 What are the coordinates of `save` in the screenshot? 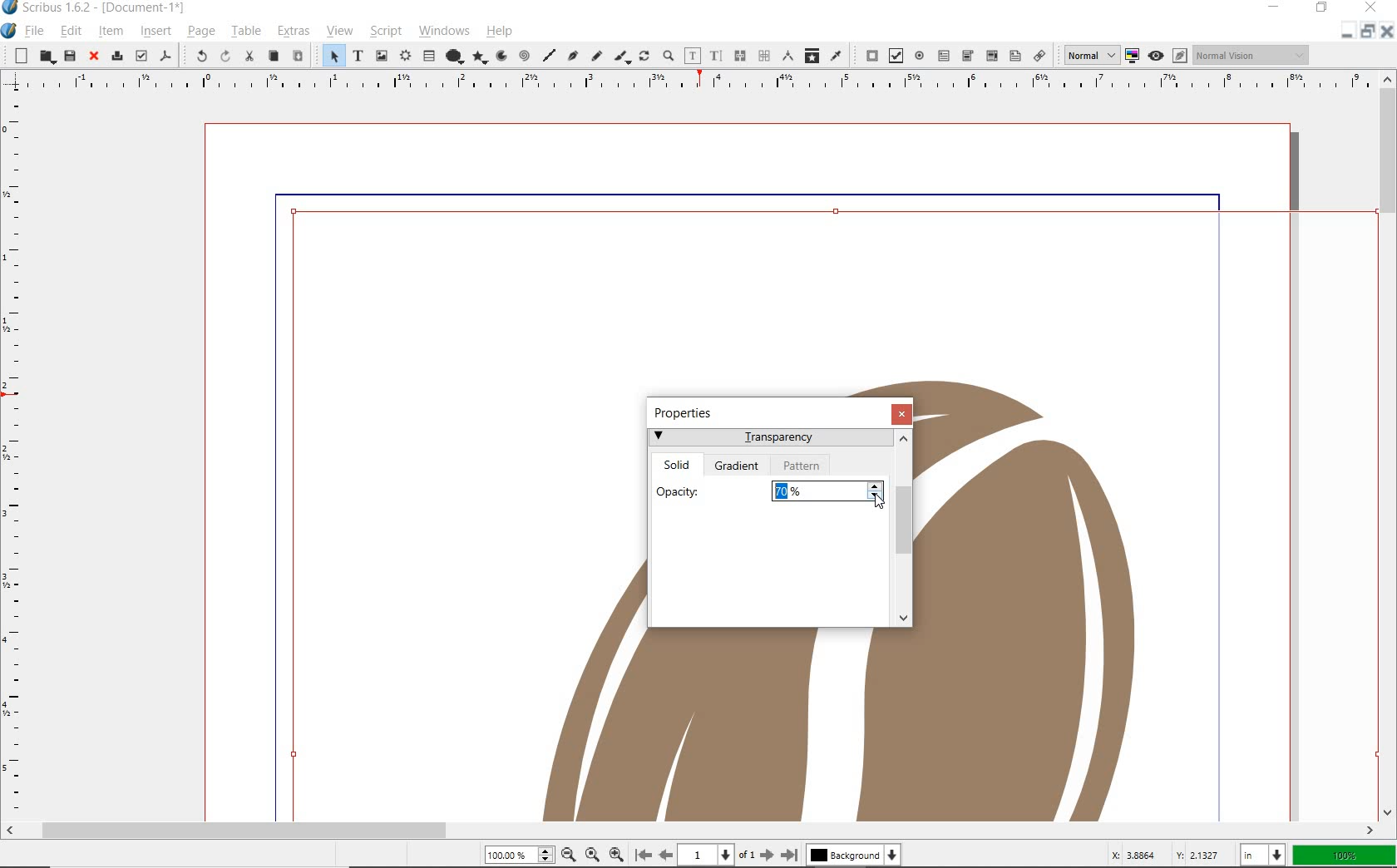 It's located at (69, 57).